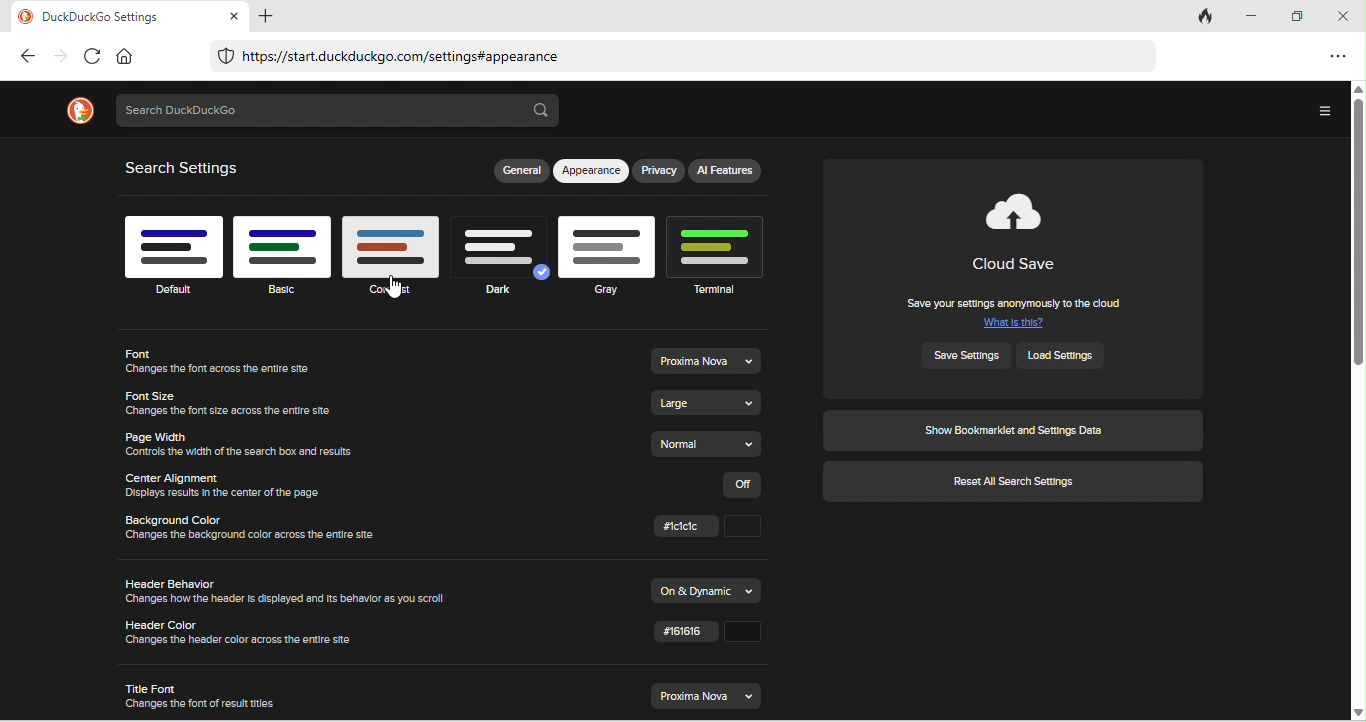 The width and height of the screenshot is (1366, 722). I want to click on option, so click(1336, 55).